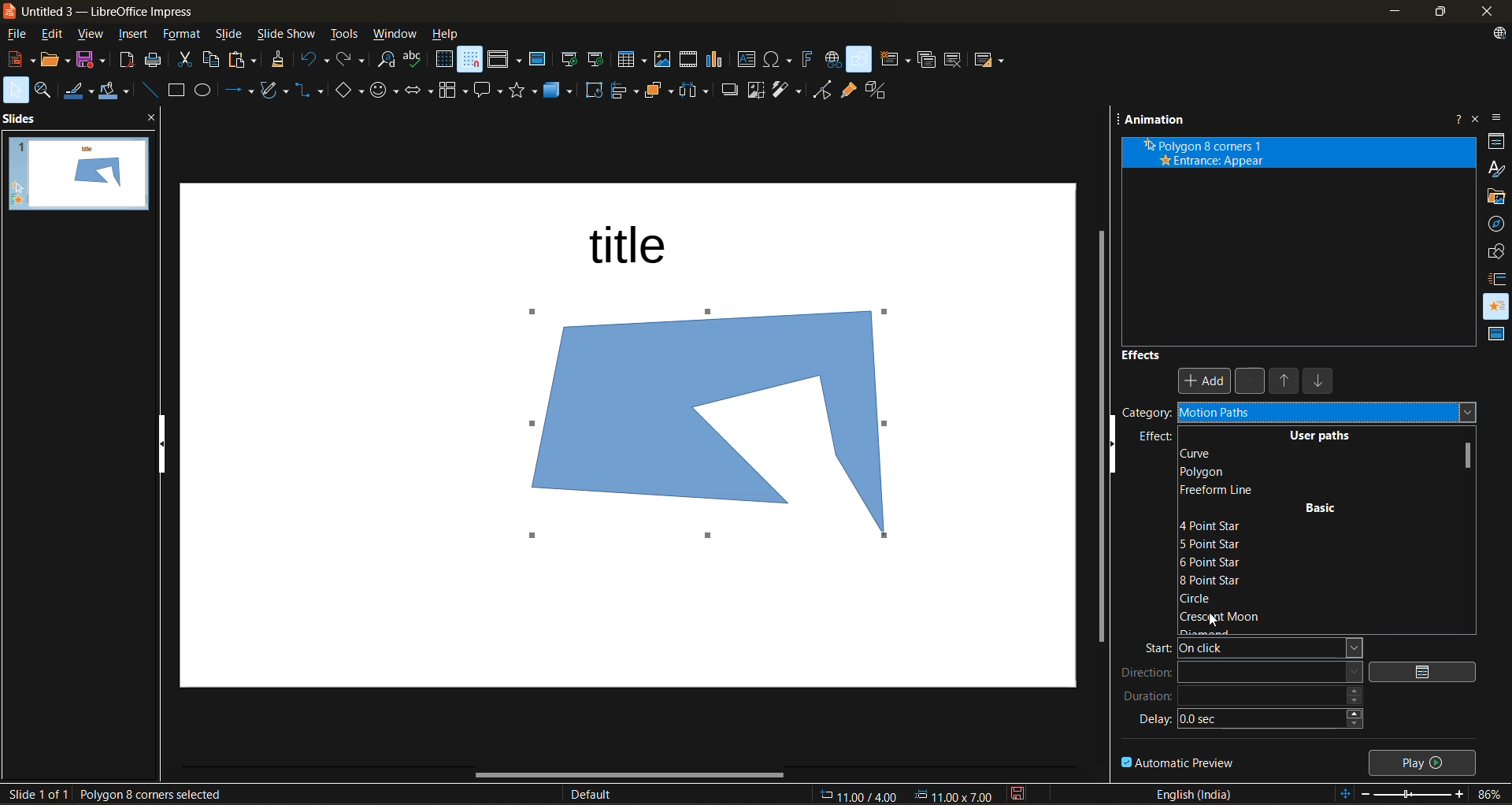 Image resolution: width=1512 pixels, height=805 pixels. What do you see at coordinates (1207, 384) in the screenshot?
I see `Add` at bounding box center [1207, 384].